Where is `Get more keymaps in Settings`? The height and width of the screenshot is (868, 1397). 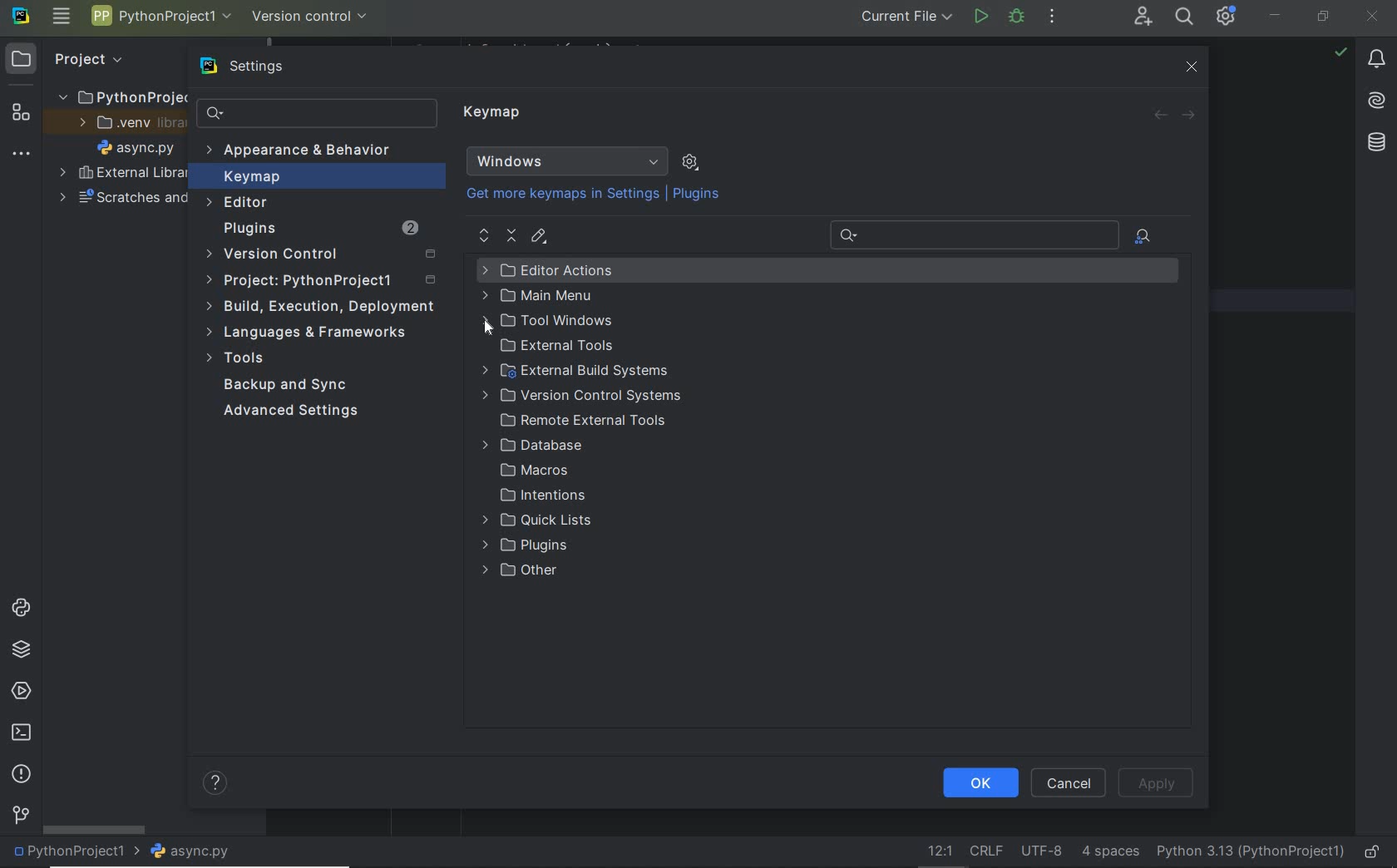 Get more keymaps in Settings is located at coordinates (555, 195).